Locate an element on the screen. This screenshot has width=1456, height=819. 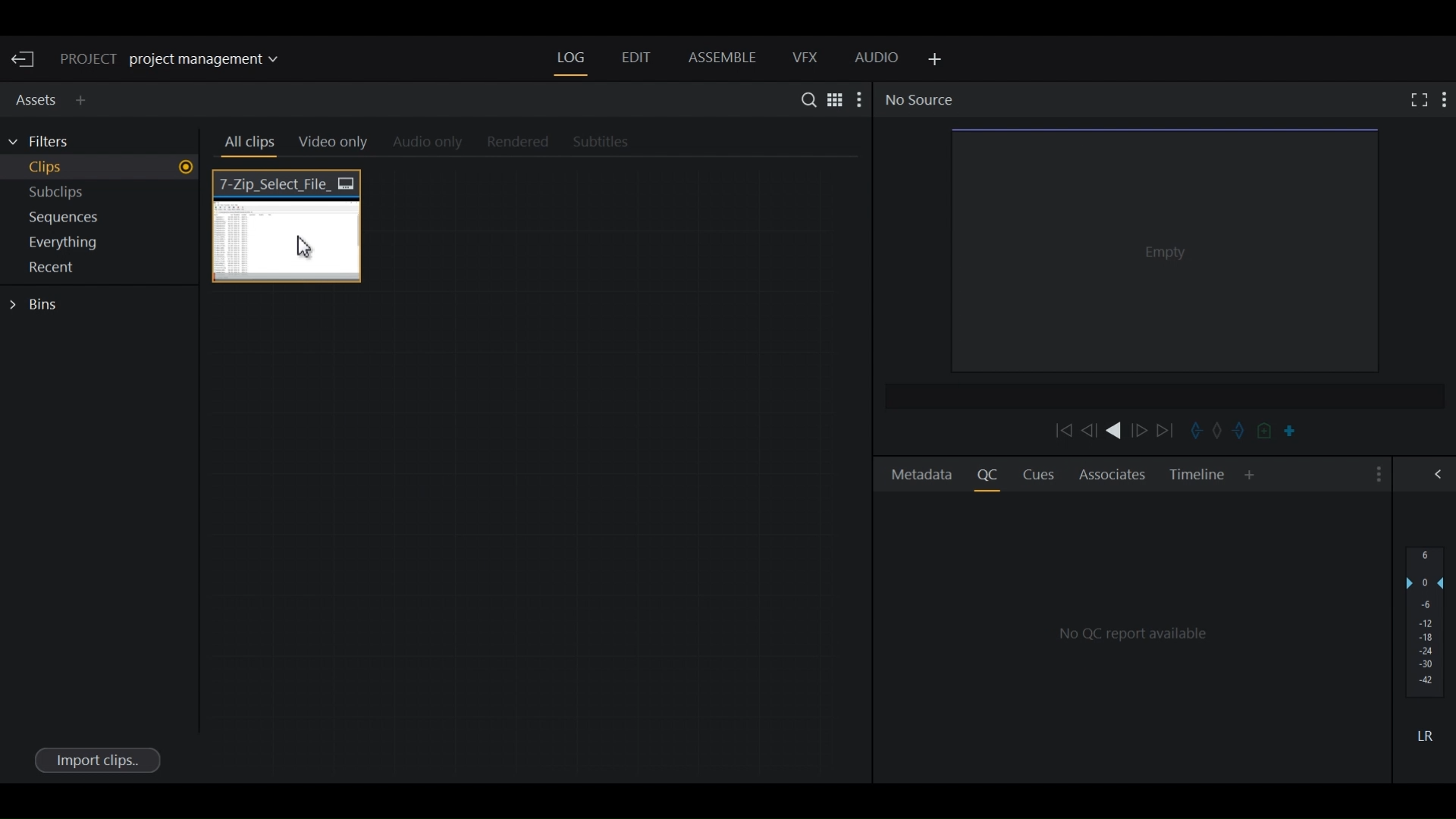
Cursor is located at coordinates (307, 249).